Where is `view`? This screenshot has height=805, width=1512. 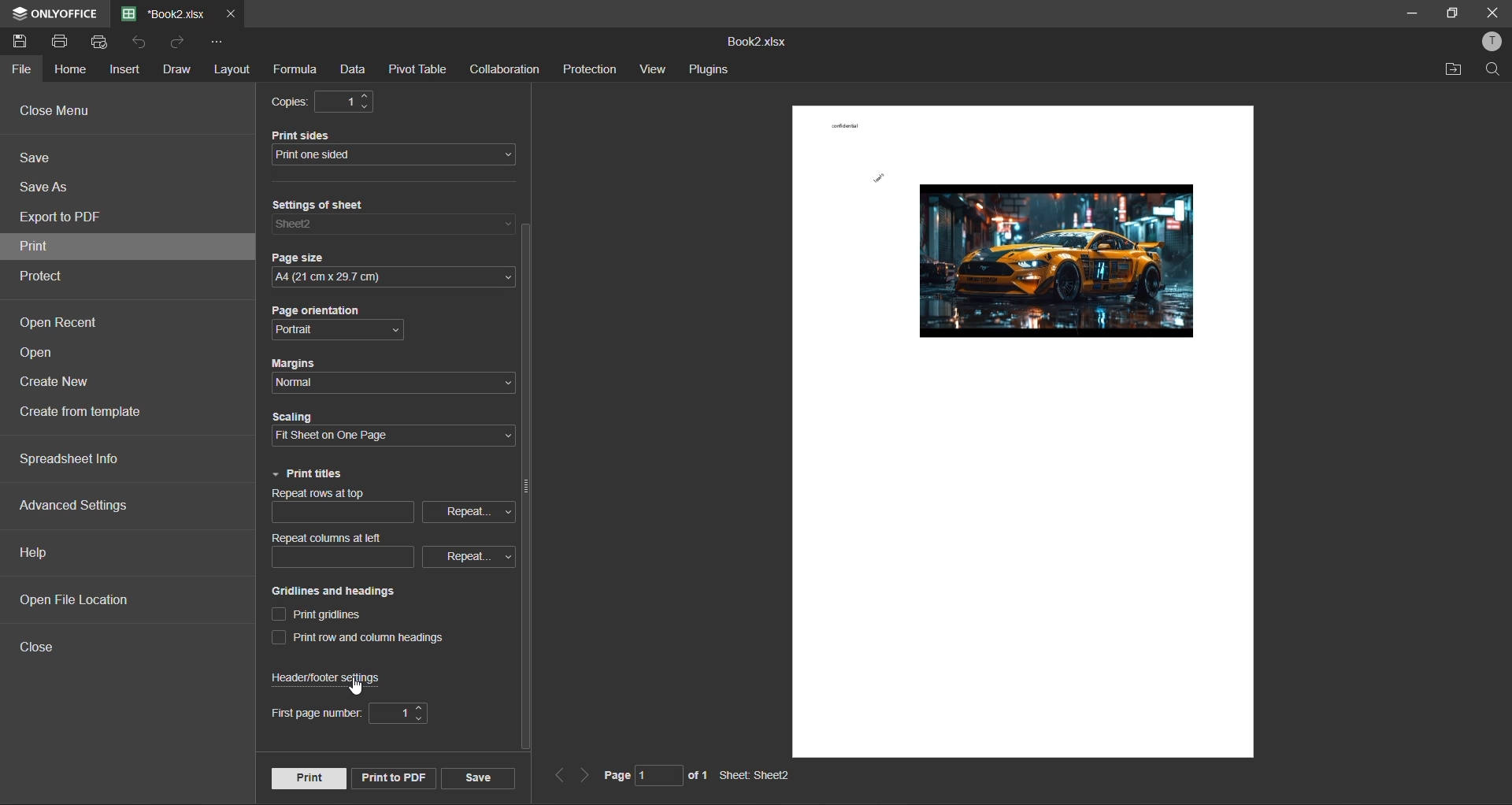 view is located at coordinates (654, 69).